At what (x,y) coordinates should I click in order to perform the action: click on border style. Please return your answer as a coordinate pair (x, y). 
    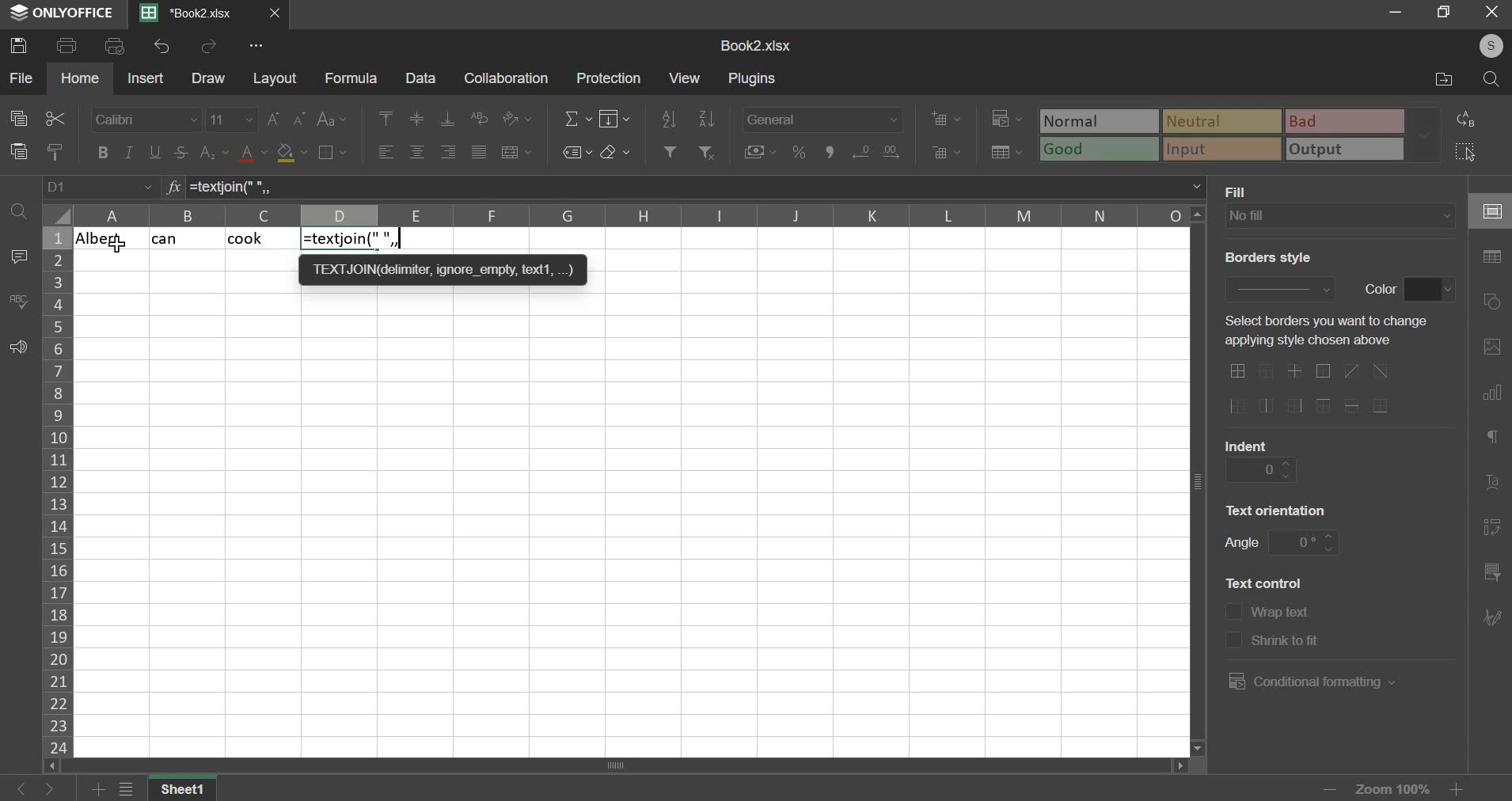
    Looking at the image, I should click on (1278, 287).